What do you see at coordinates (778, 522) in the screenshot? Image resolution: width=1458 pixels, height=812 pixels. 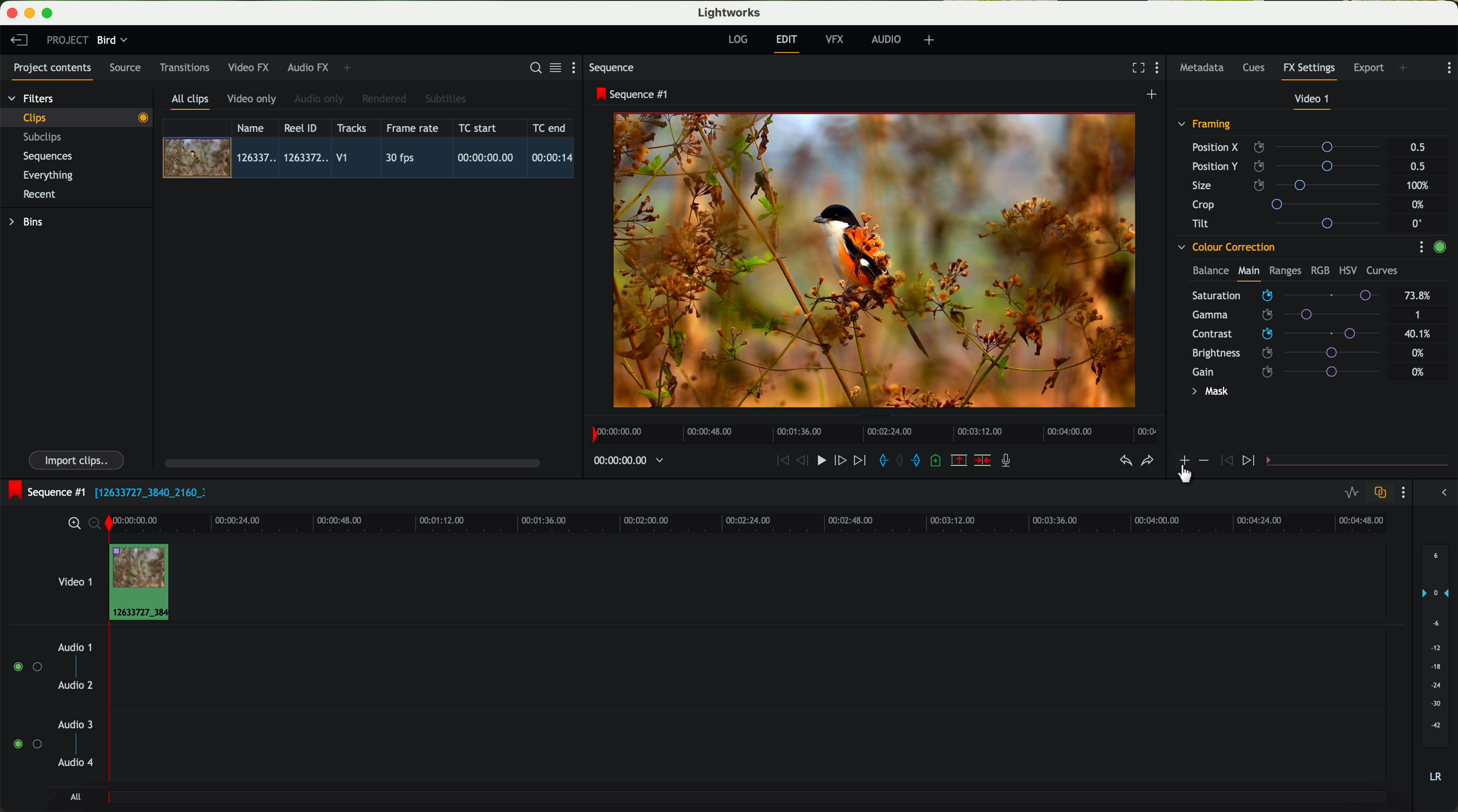 I see `timeline` at bounding box center [778, 522].